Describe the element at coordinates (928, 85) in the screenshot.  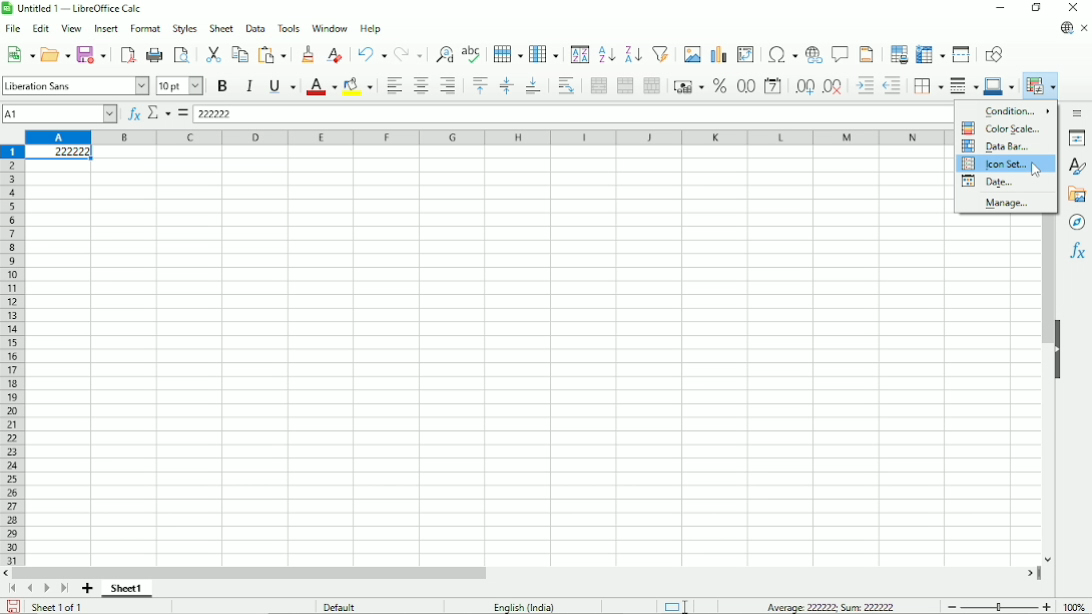
I see `Borders` at that location.